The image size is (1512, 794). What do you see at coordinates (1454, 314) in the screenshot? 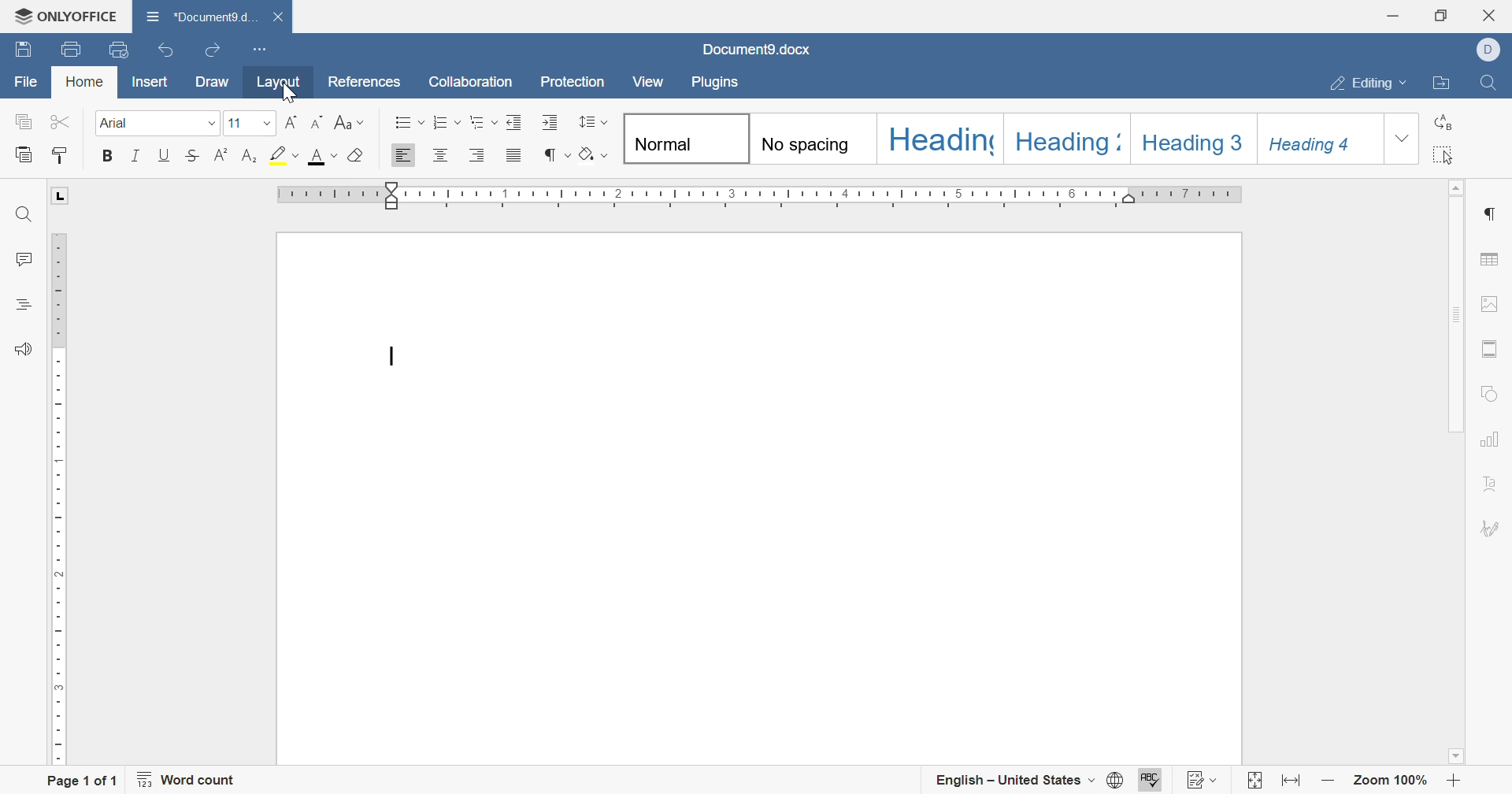
I see `scroll bar` at bounding box center [1454, 314].